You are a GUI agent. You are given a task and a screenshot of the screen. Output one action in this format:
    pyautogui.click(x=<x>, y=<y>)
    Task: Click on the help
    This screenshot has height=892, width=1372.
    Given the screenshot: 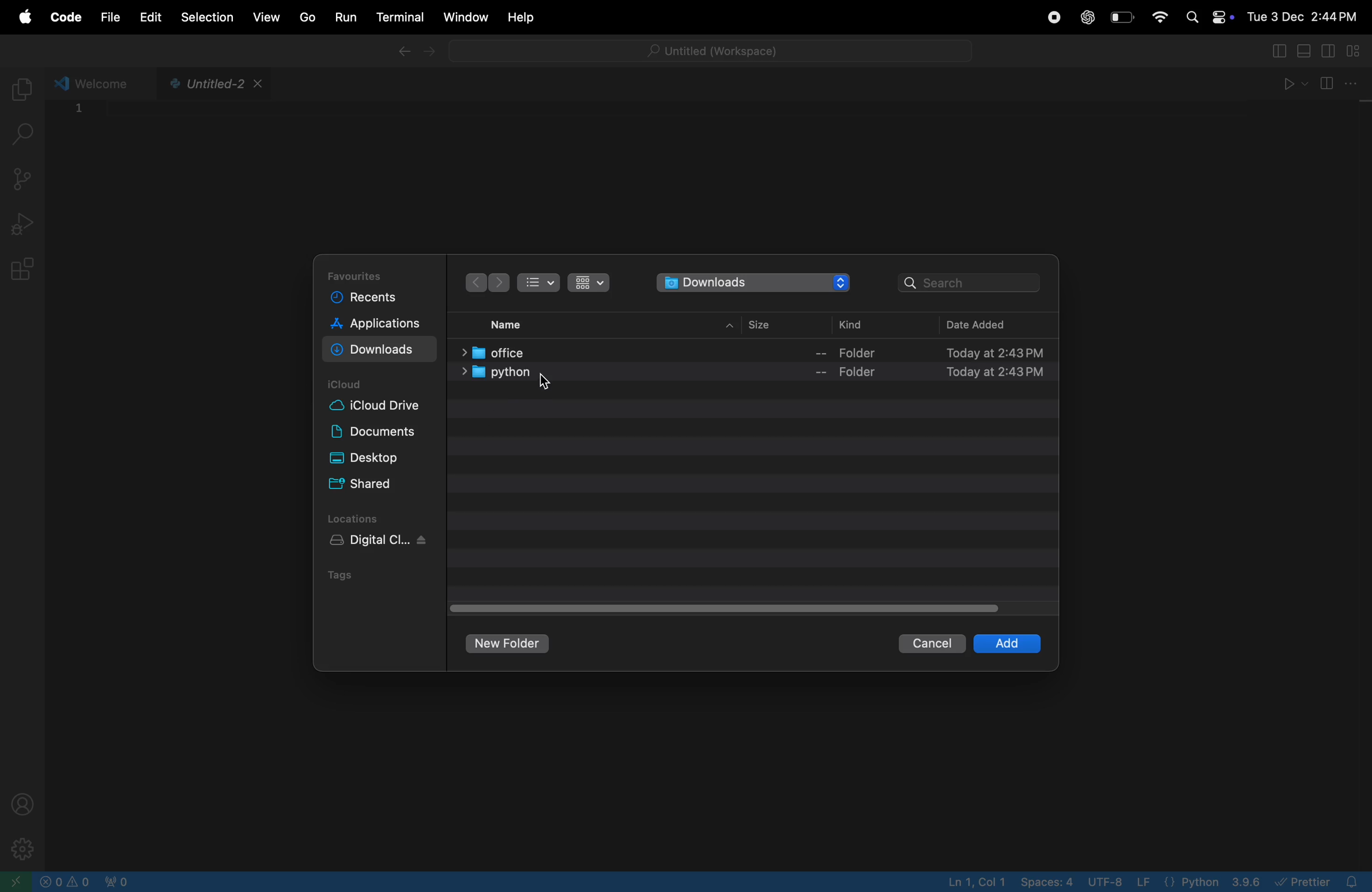 What is the action you would take?
    pyautogui.click(x=520, y=17)
    